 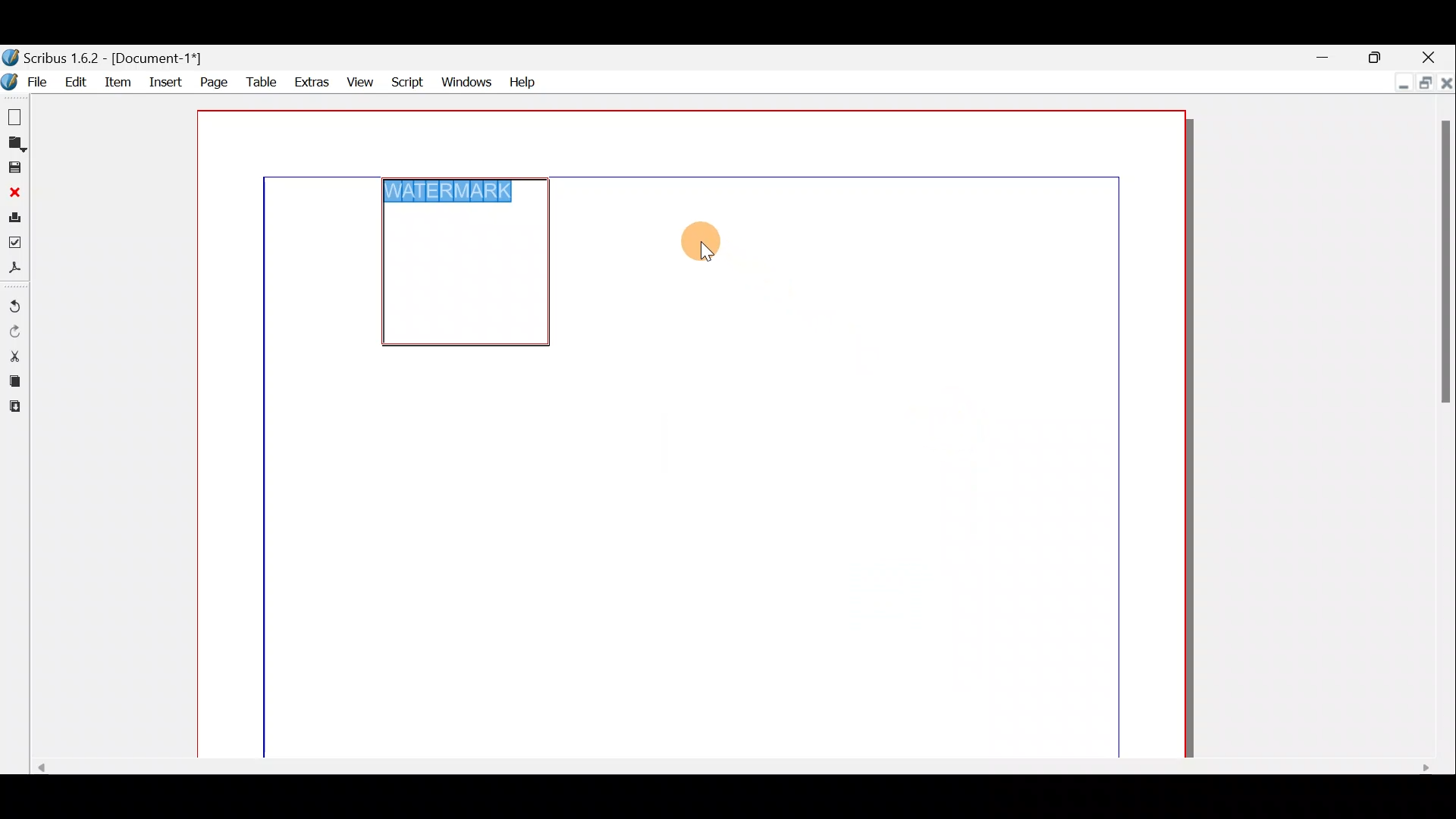 What do you see at coordinates (1376, 55) in the screenshot?
I see `Maximise` at bounding box center [1376, 55].